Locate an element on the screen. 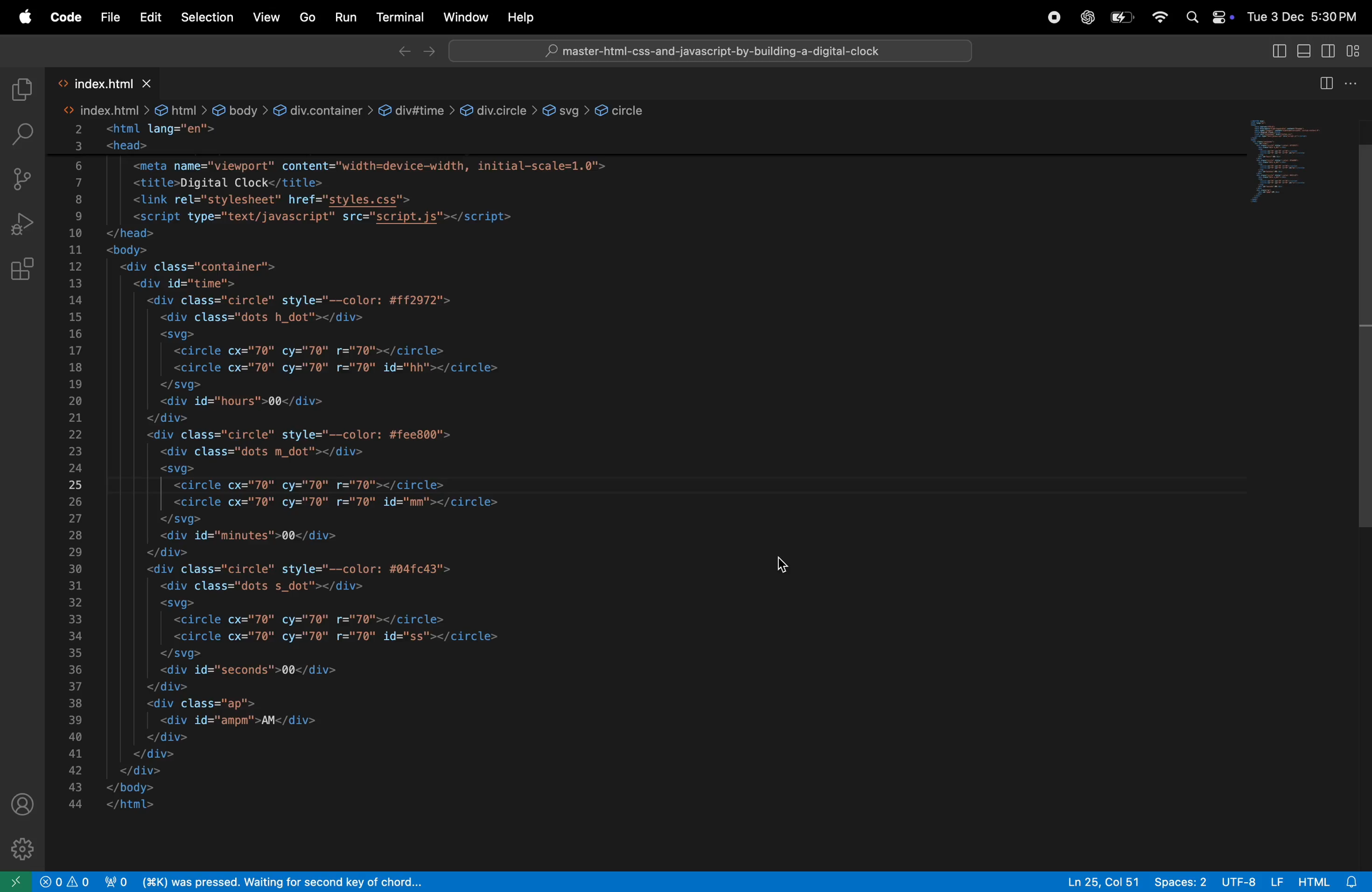  settings is located at coordinates (26, 849).